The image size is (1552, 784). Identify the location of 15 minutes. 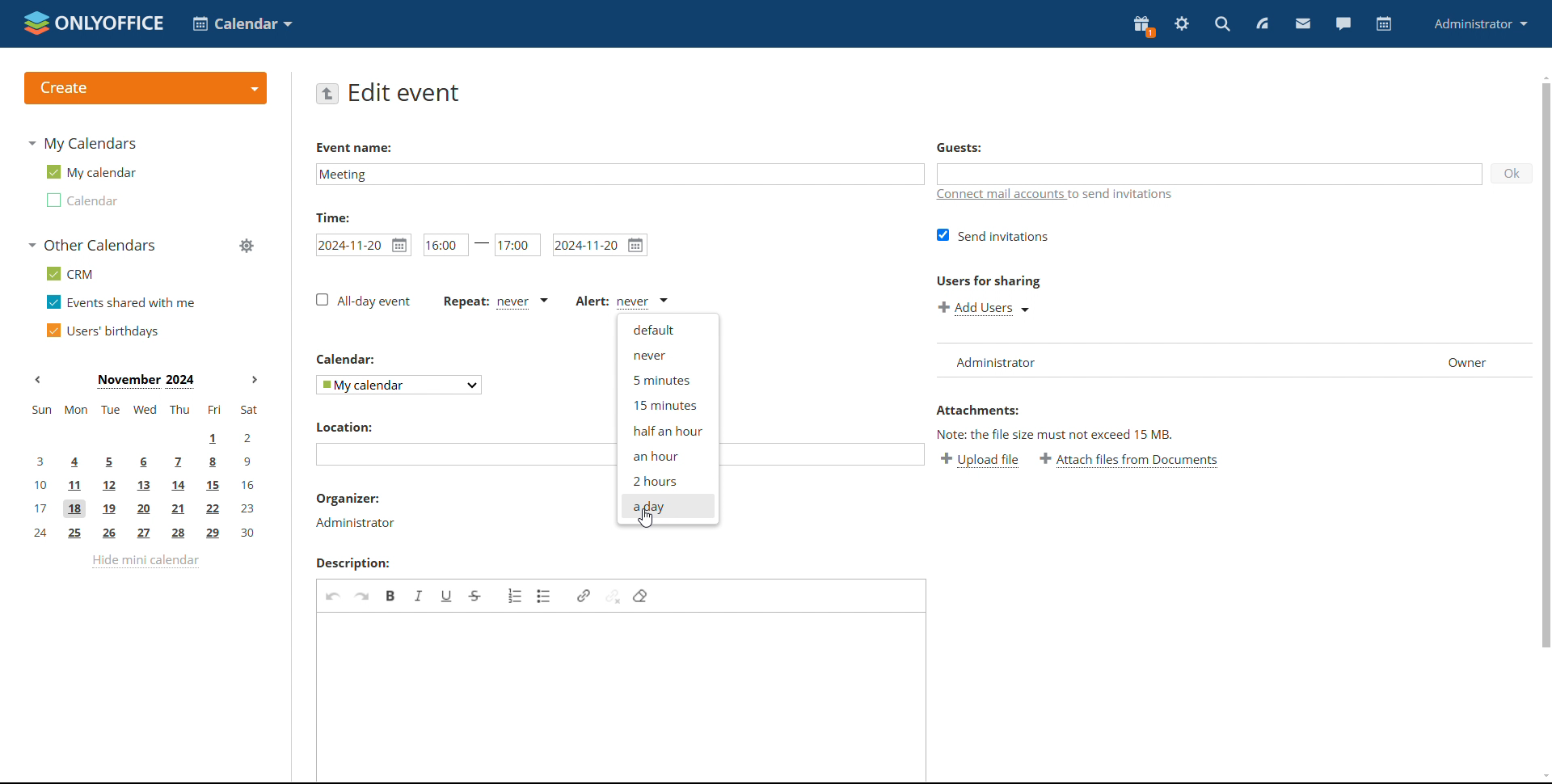
(665, 404).